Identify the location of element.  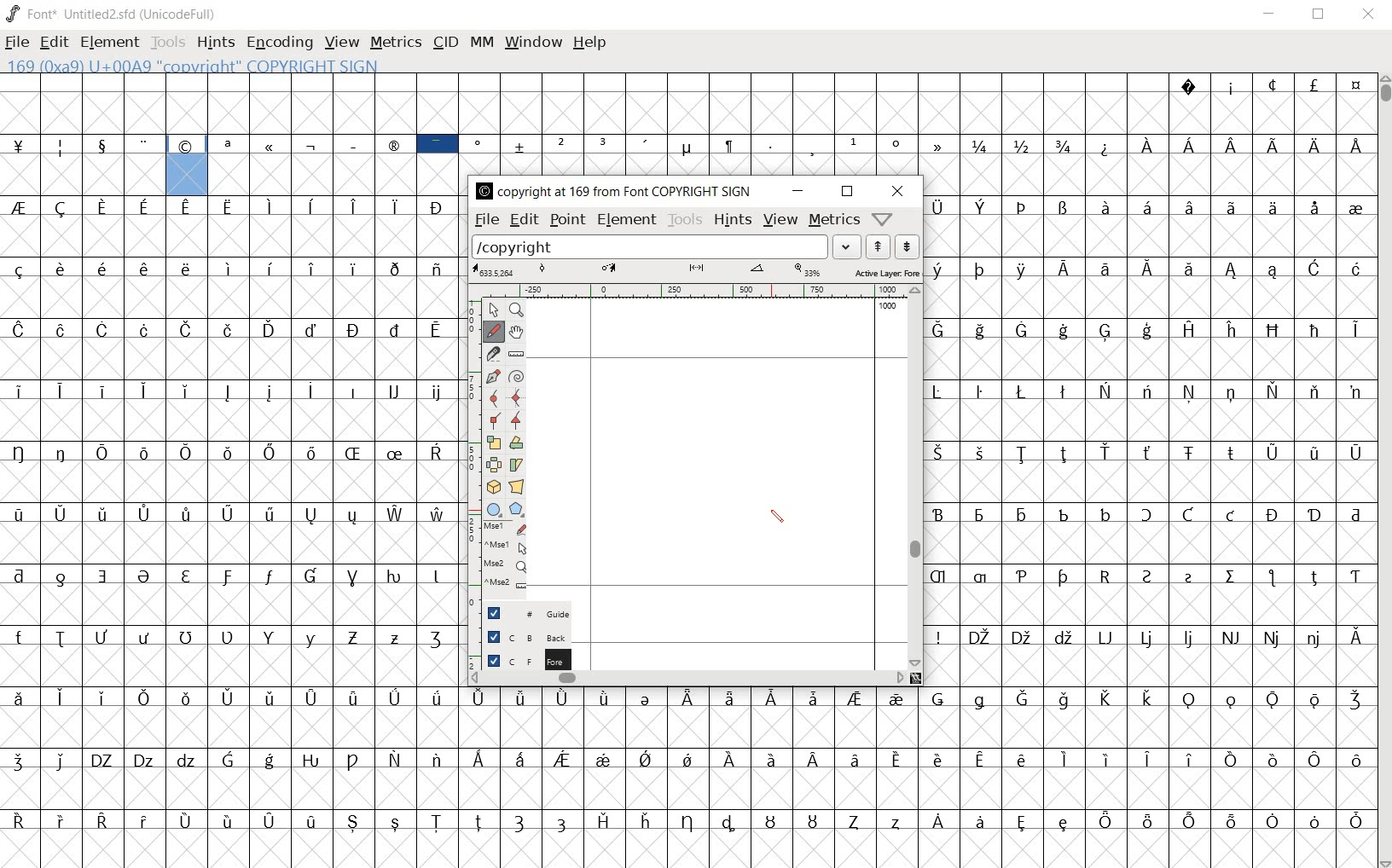
(627, 220).